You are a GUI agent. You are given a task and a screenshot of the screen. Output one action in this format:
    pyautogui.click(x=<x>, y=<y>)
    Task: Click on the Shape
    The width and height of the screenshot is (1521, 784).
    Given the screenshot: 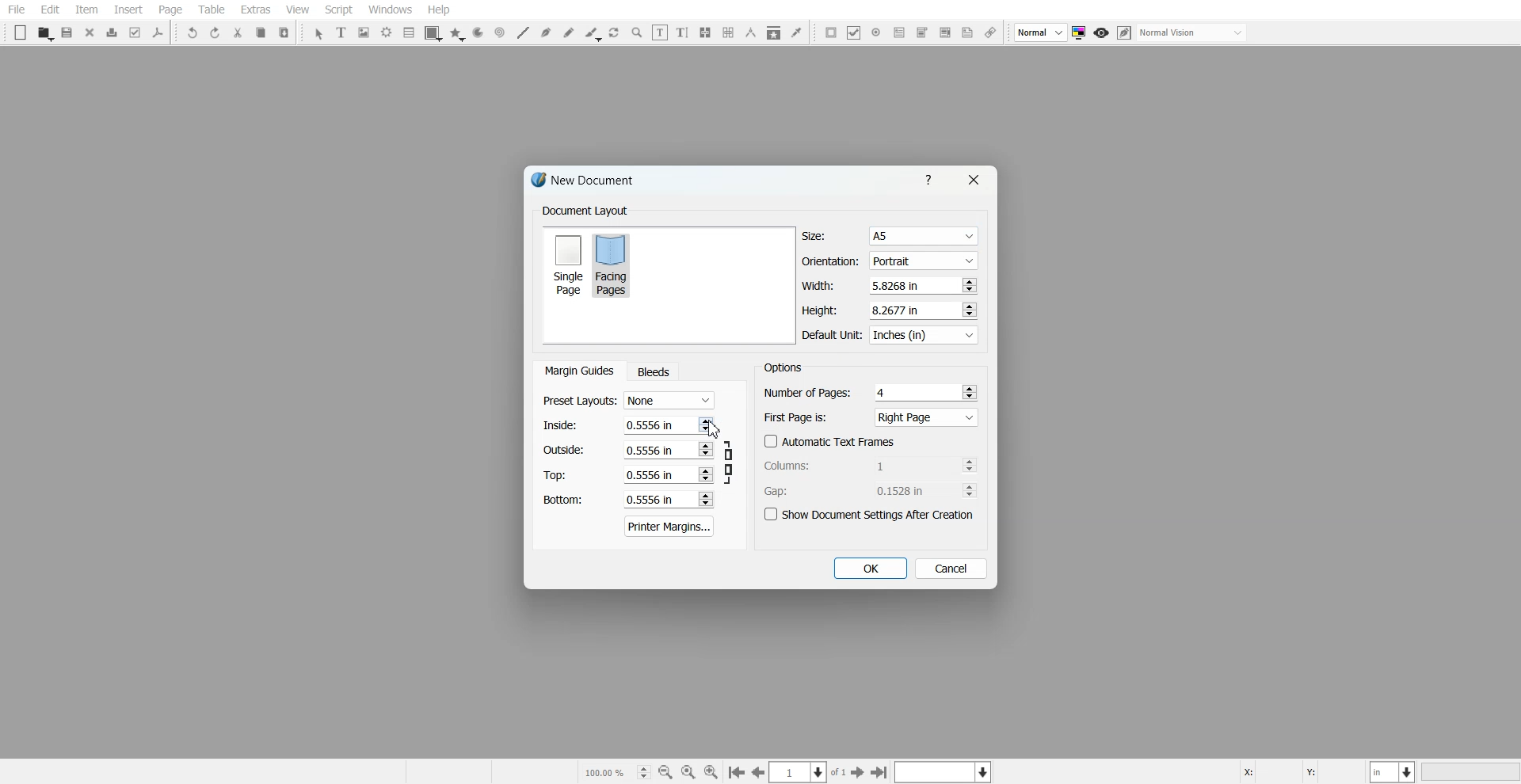 What is the action you would take?
    pyautogui.click(x=433, y=33)
    